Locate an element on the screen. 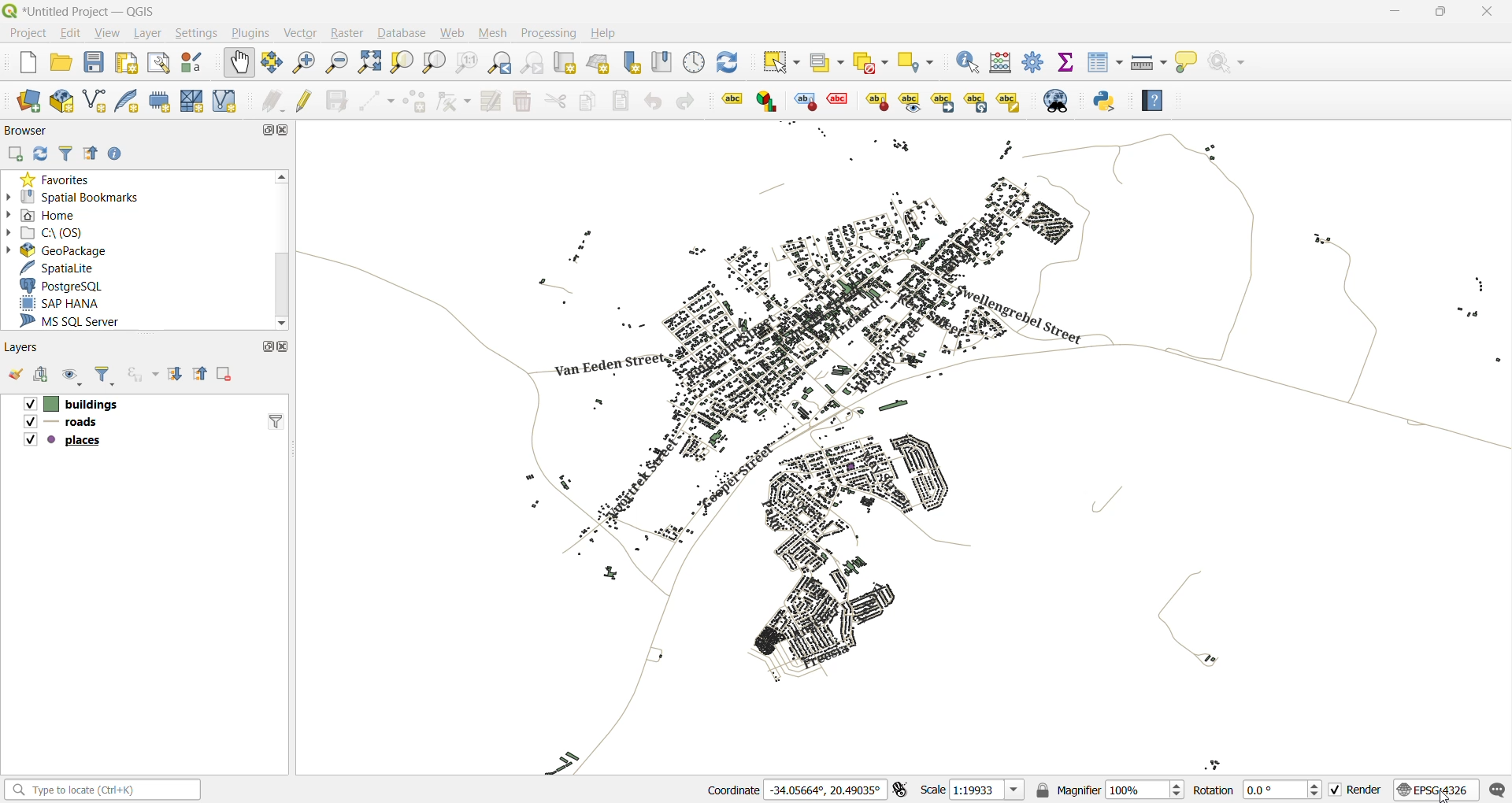 This screenshot has height=803, width=1512. toggle edits is located at coordinates (306, 99).